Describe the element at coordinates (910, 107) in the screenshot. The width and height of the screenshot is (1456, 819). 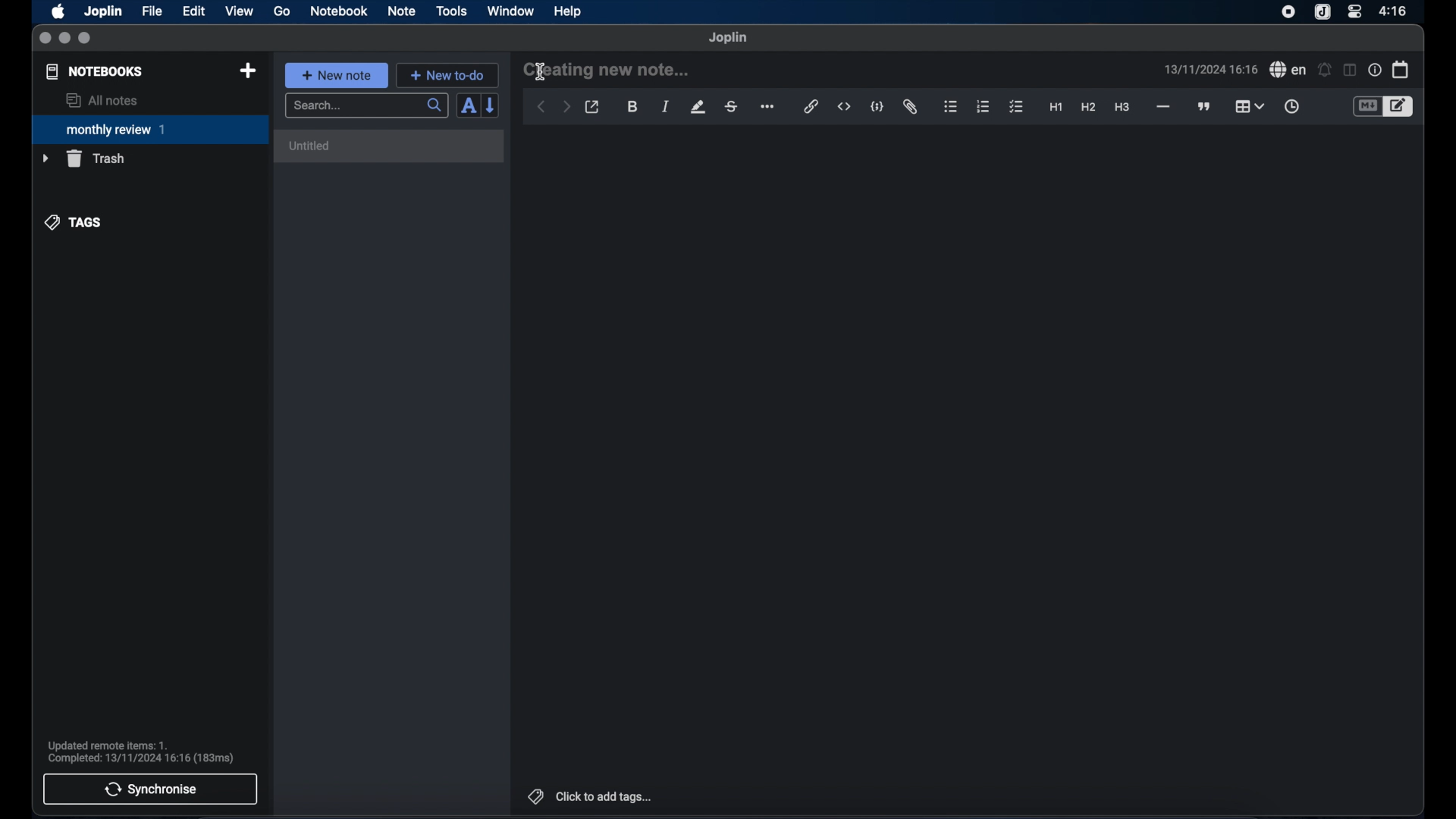
I see `attach file` at that location.